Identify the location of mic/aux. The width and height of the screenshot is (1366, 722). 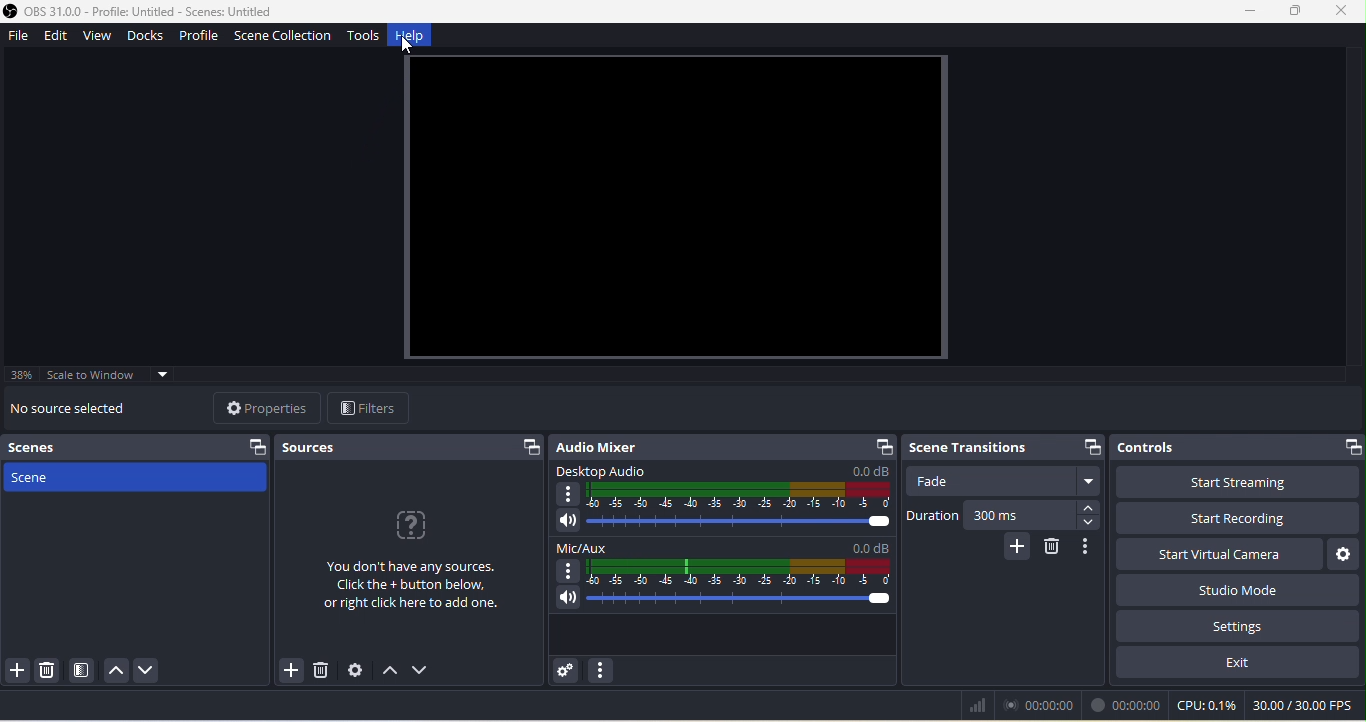
(725, 563).